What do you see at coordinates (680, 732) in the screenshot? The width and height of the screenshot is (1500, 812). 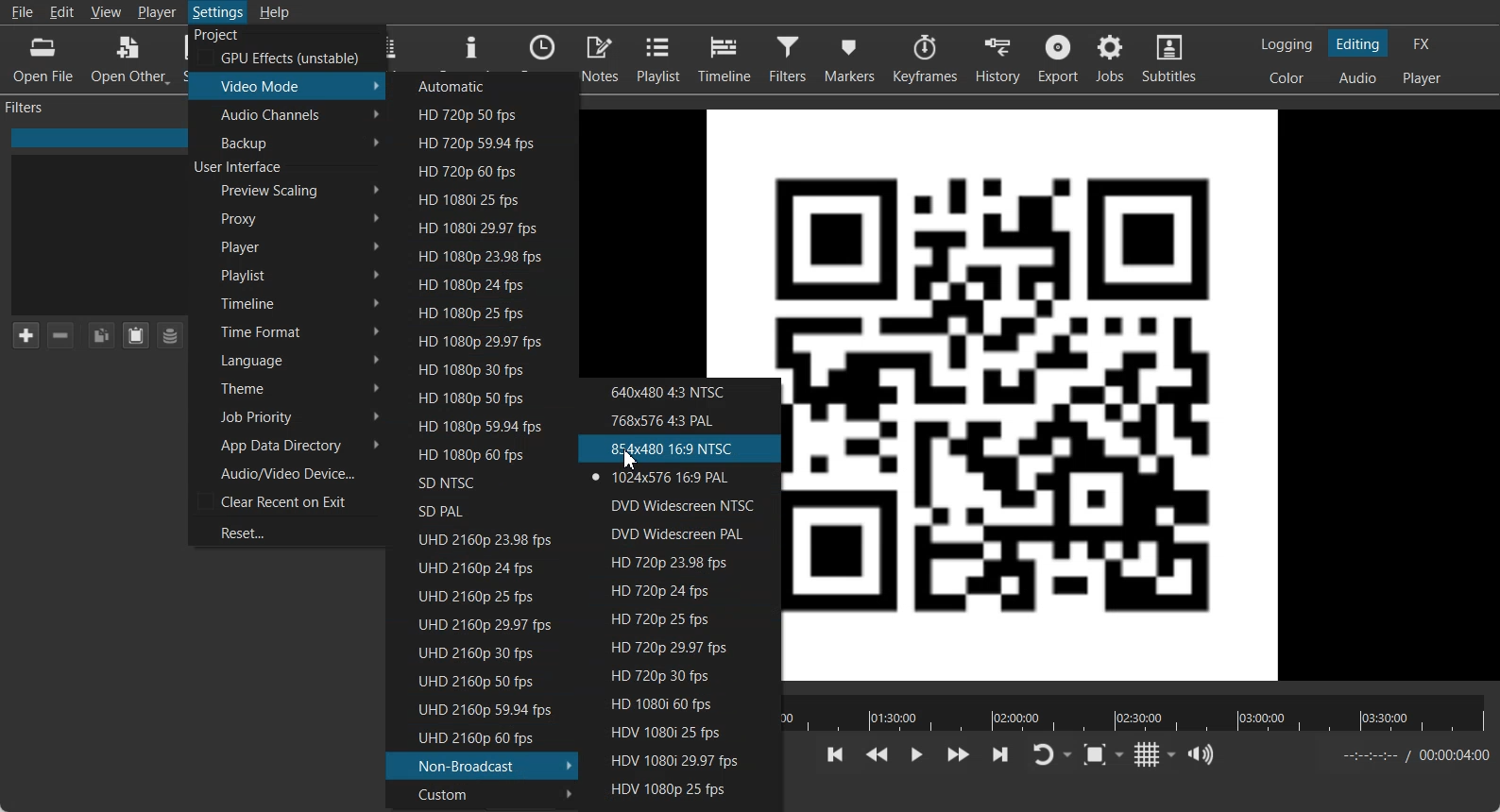 I see `HDV 1080i 25 fps` at bounding box center [680, 732].